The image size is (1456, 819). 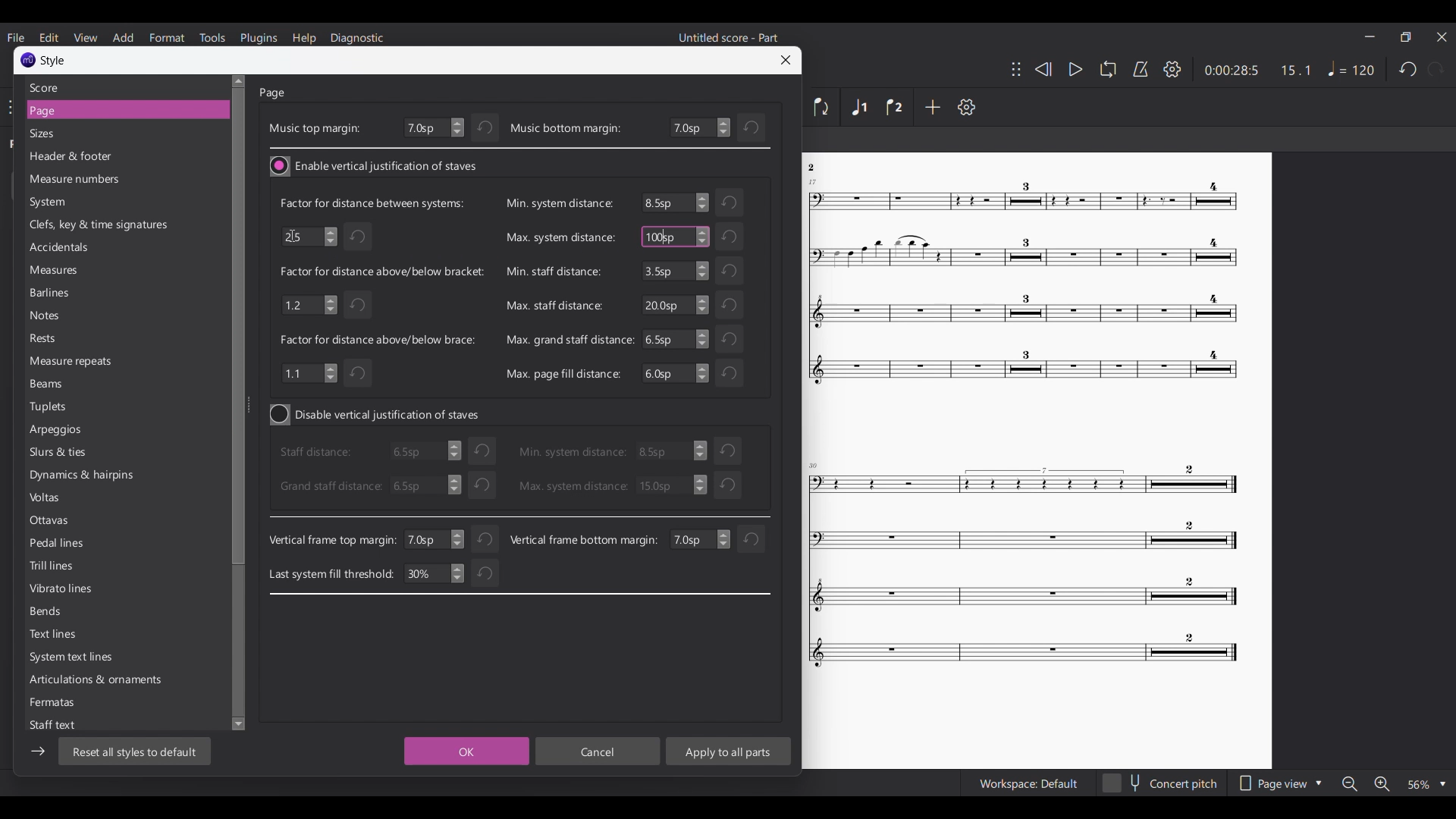 I want to click on 100 sp, so click(x=676, y=237).